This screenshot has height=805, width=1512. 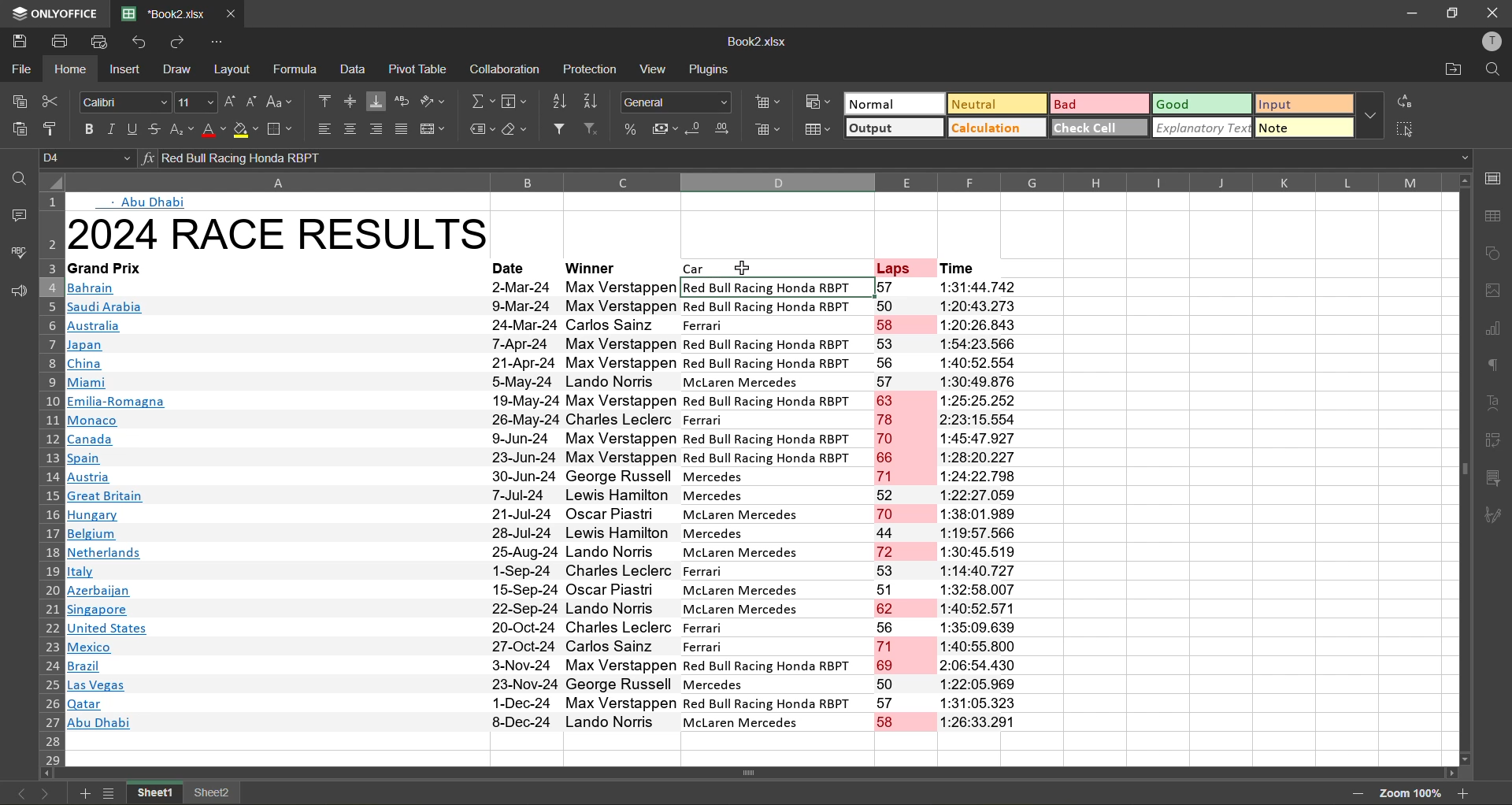 What do you see at coordinates (18, 291) in the screenshot?
I see `feedback` at bounding box center [18, 291].